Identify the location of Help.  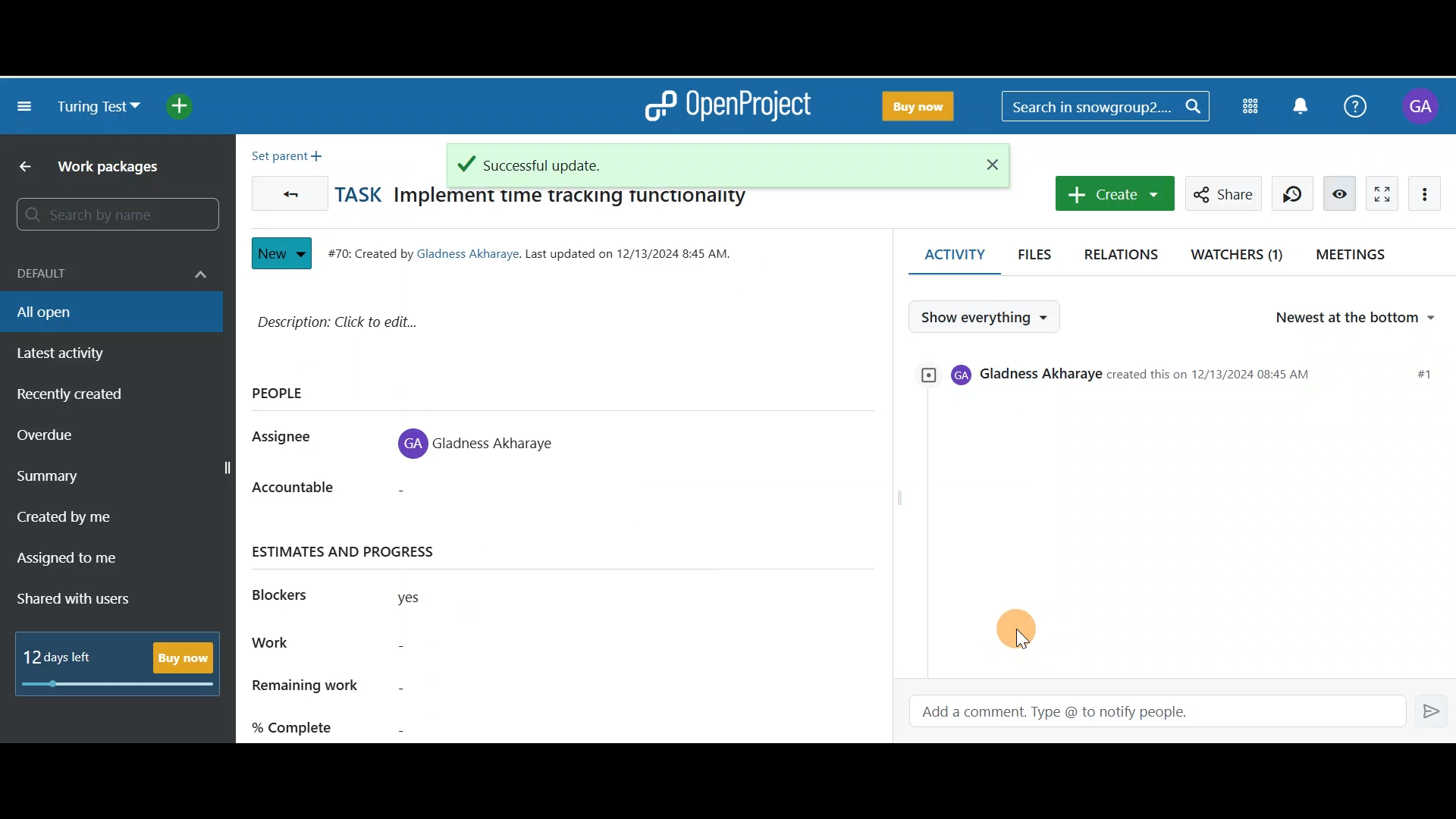
(1352, 104).